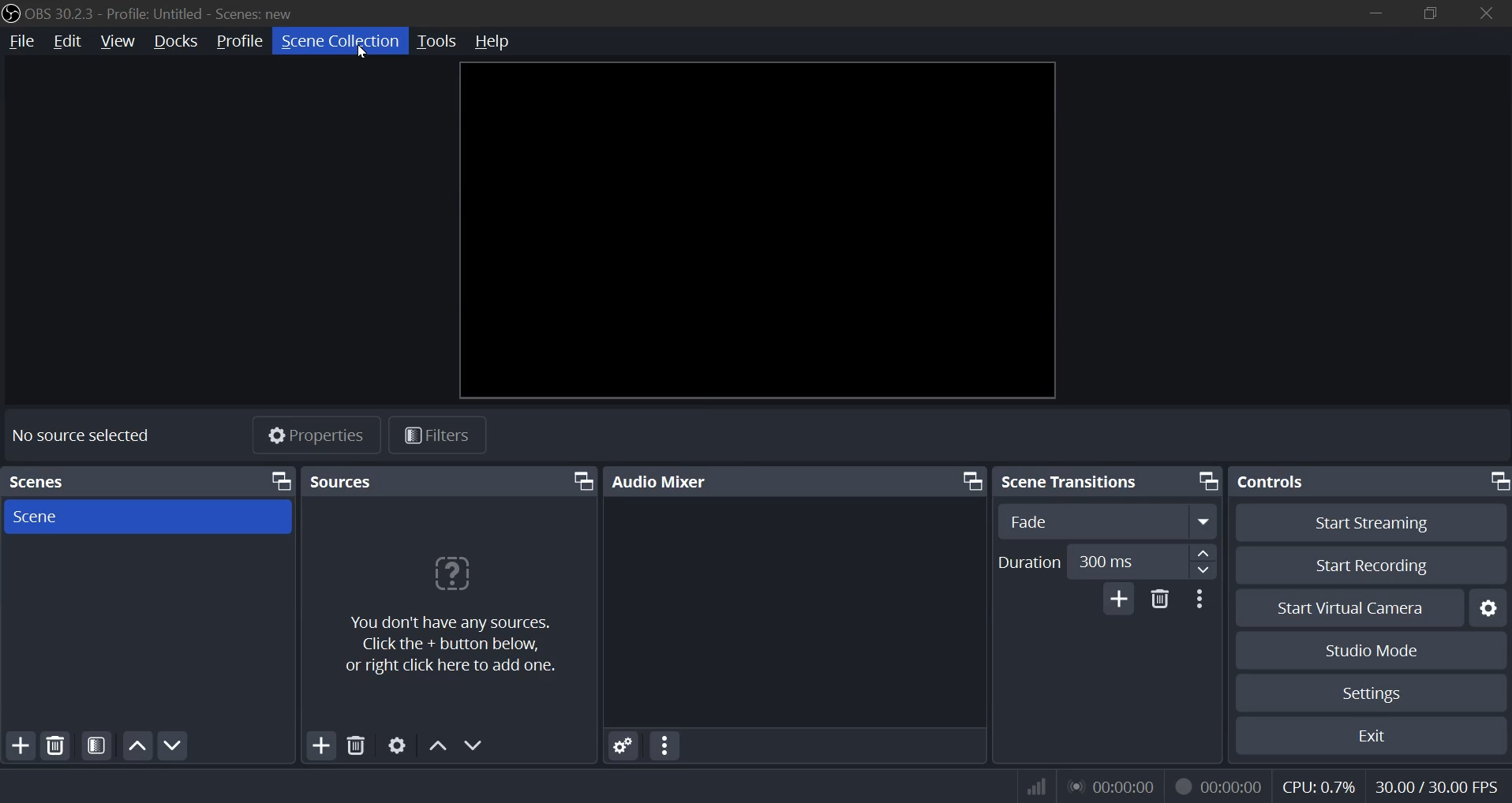  I want to click on profile, so click(238, 42).